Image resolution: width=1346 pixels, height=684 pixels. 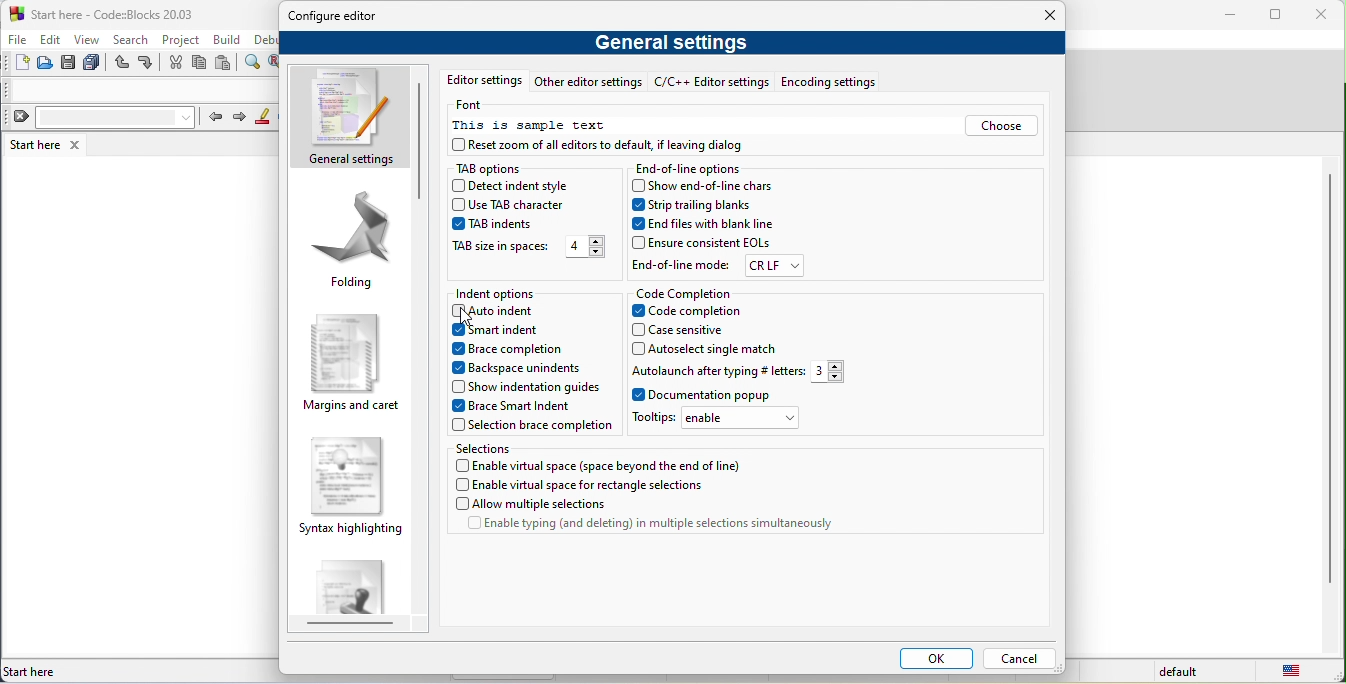 What do you see at coordinates (723, 421) in the screenshot?
I see `tooltips enable` at bounding box center [723, 421].